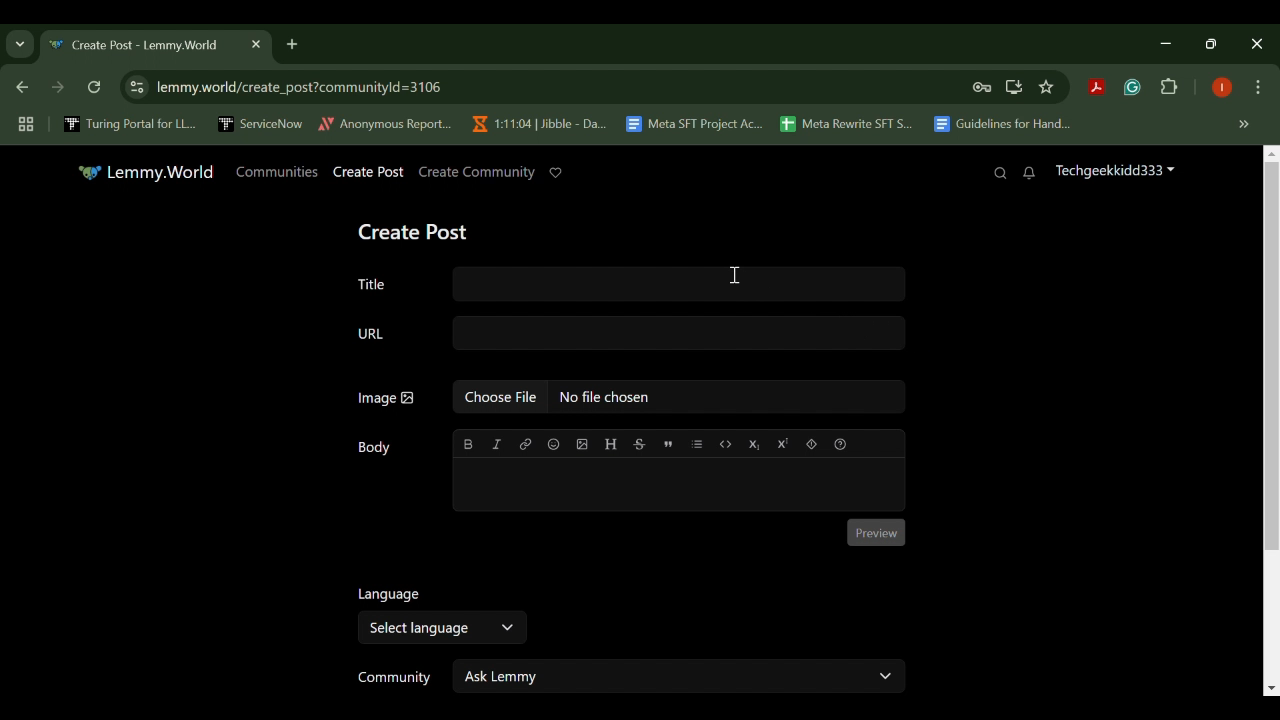 The width and height of the screenshot is (1280, 720). Describe the element at coordinates (1258, 89) in the screenshot. I see `Options` at that location.